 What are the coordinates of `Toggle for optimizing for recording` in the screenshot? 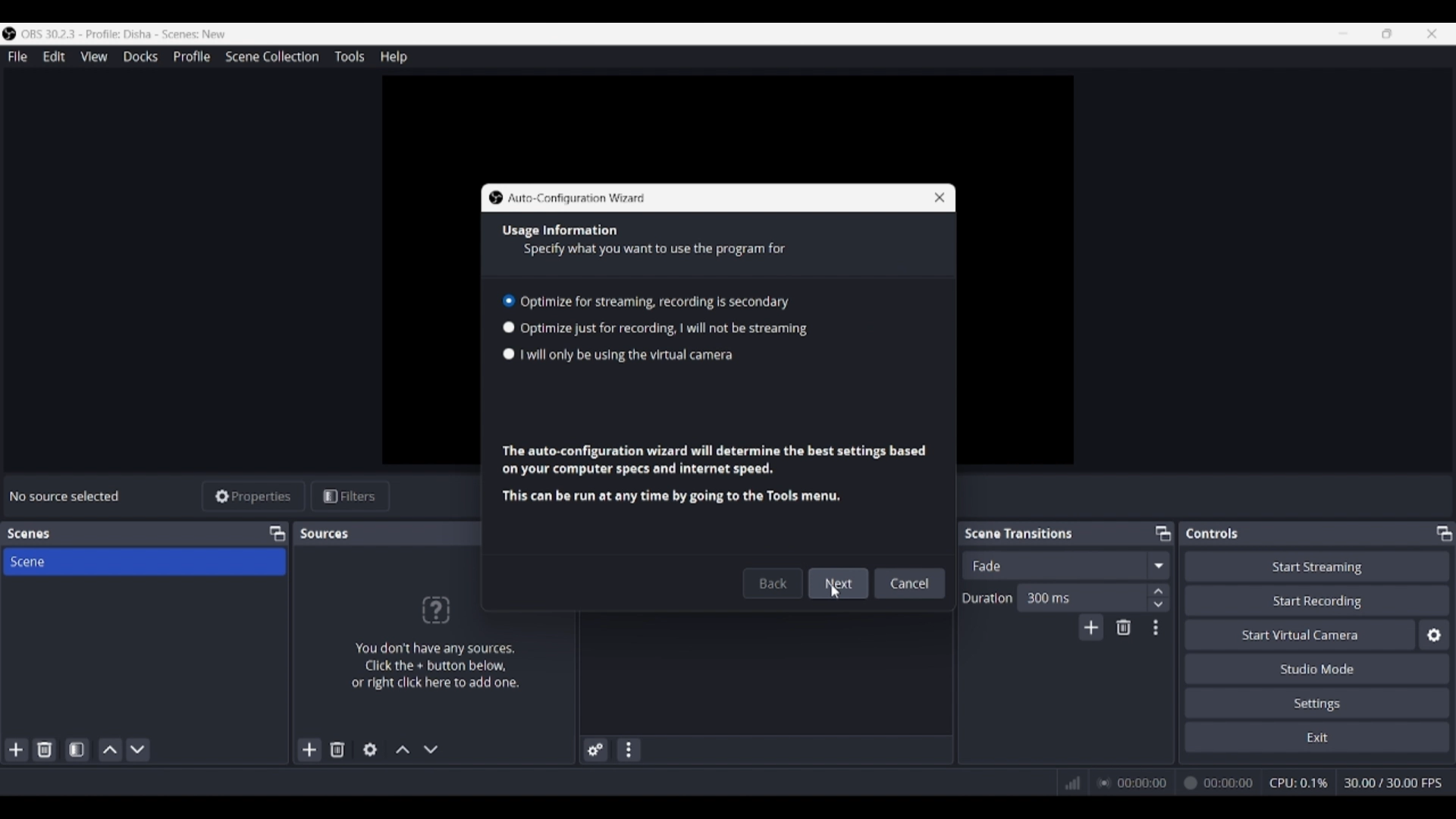 It's located at (655, 329).